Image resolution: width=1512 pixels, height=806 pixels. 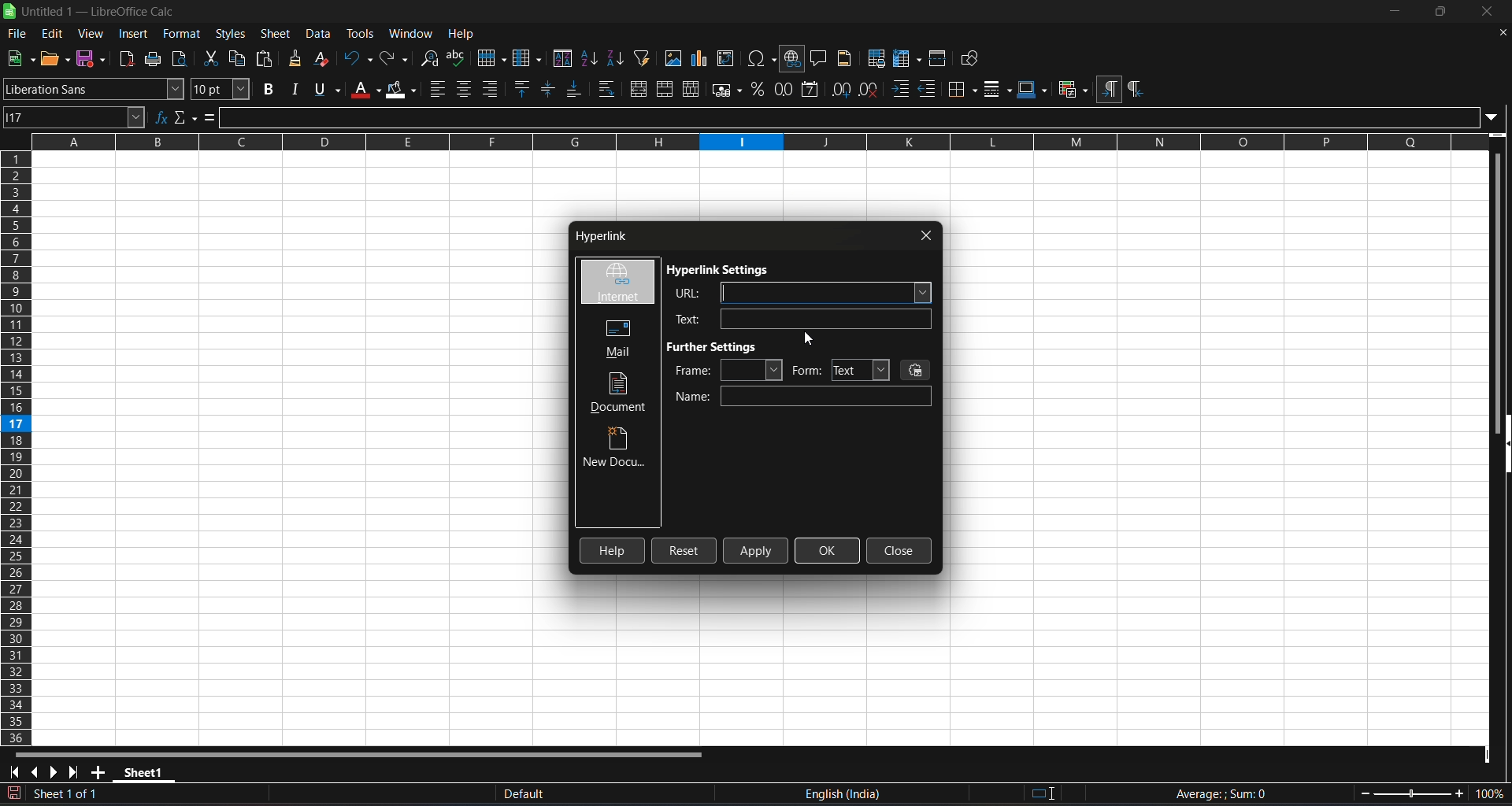 I want to click on formula, so click(x=210, y=116).